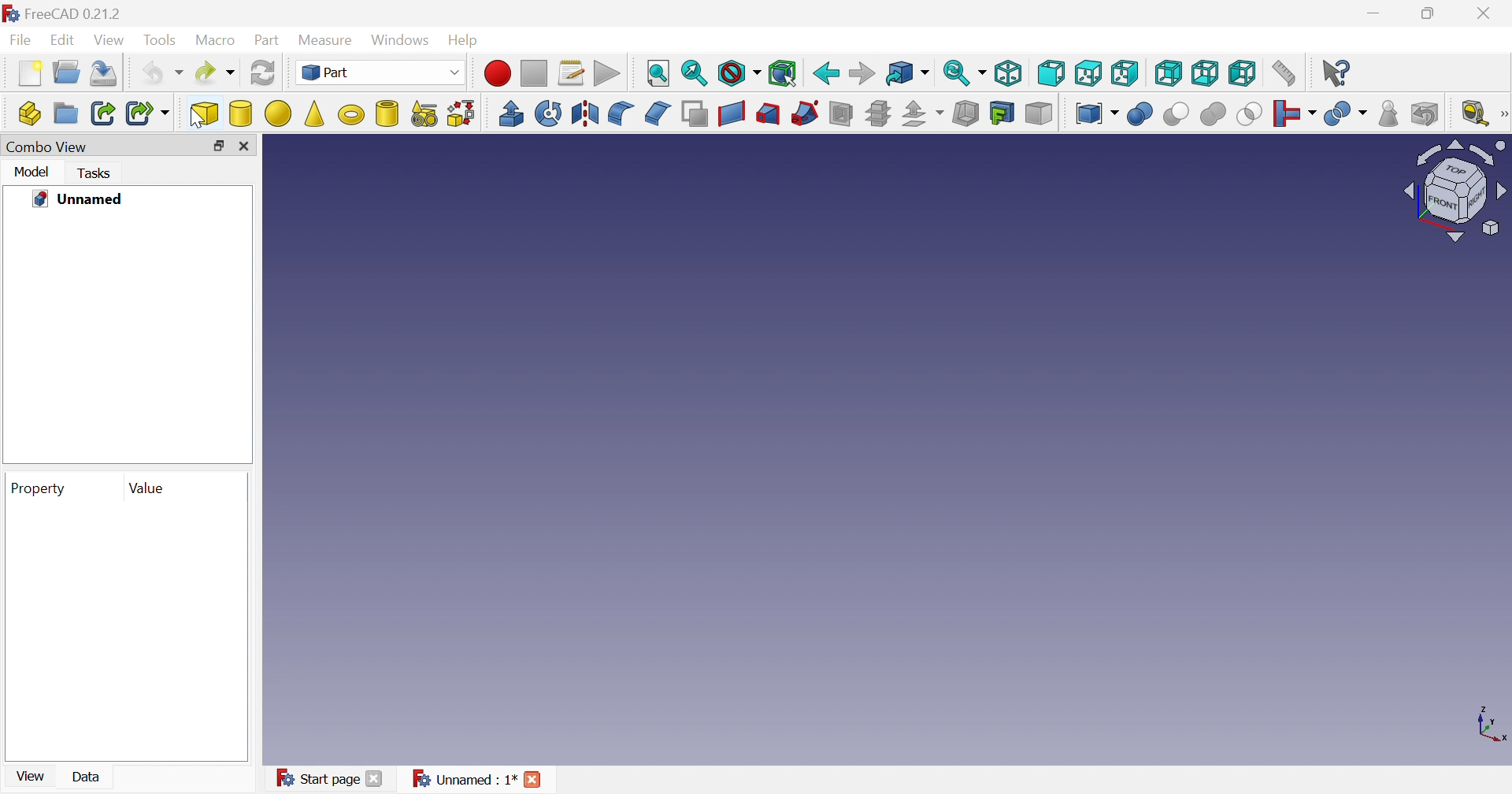  Describe the element at coordinates (739, 74) in the screenshot. I see `Draw style` at that location.